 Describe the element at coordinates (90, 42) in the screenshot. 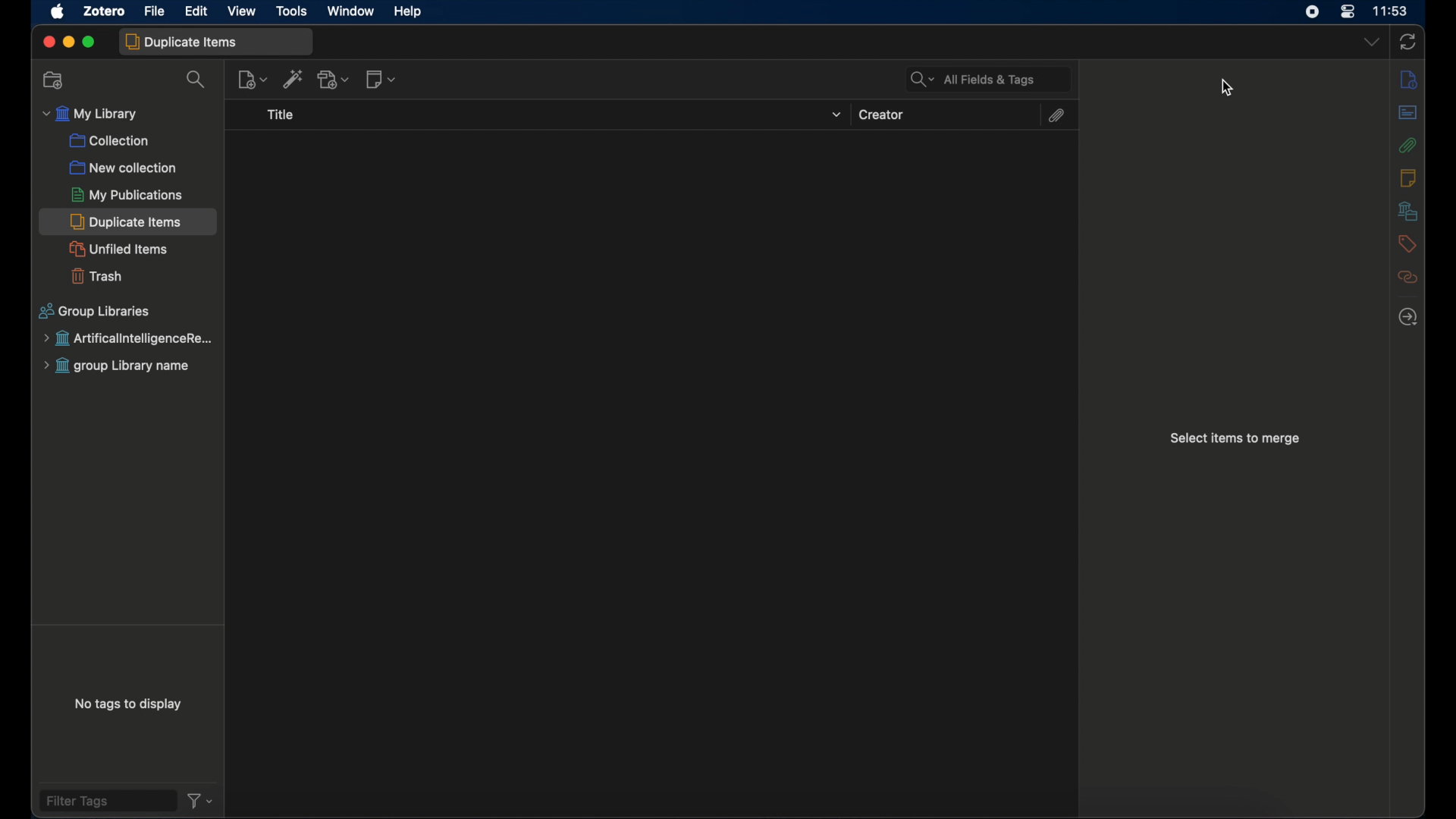

I see `maximize` at that location.